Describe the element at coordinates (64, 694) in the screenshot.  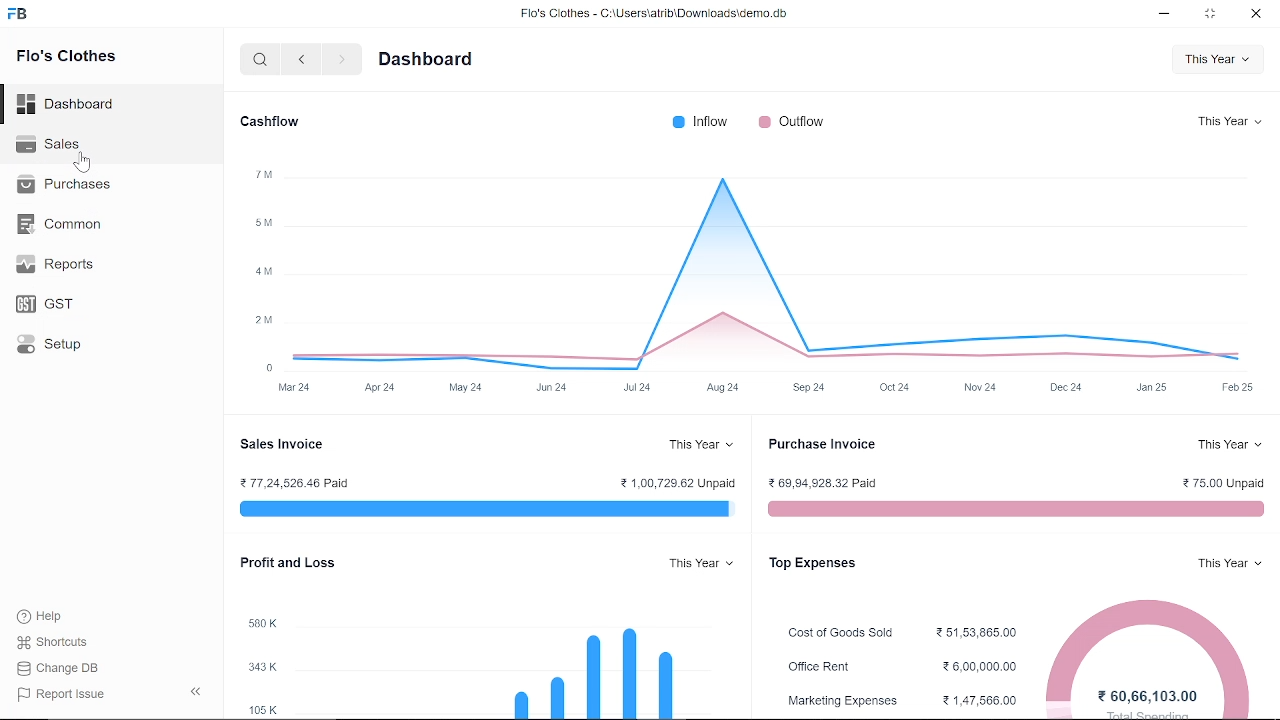
I see `| Report Issue:` at that location.